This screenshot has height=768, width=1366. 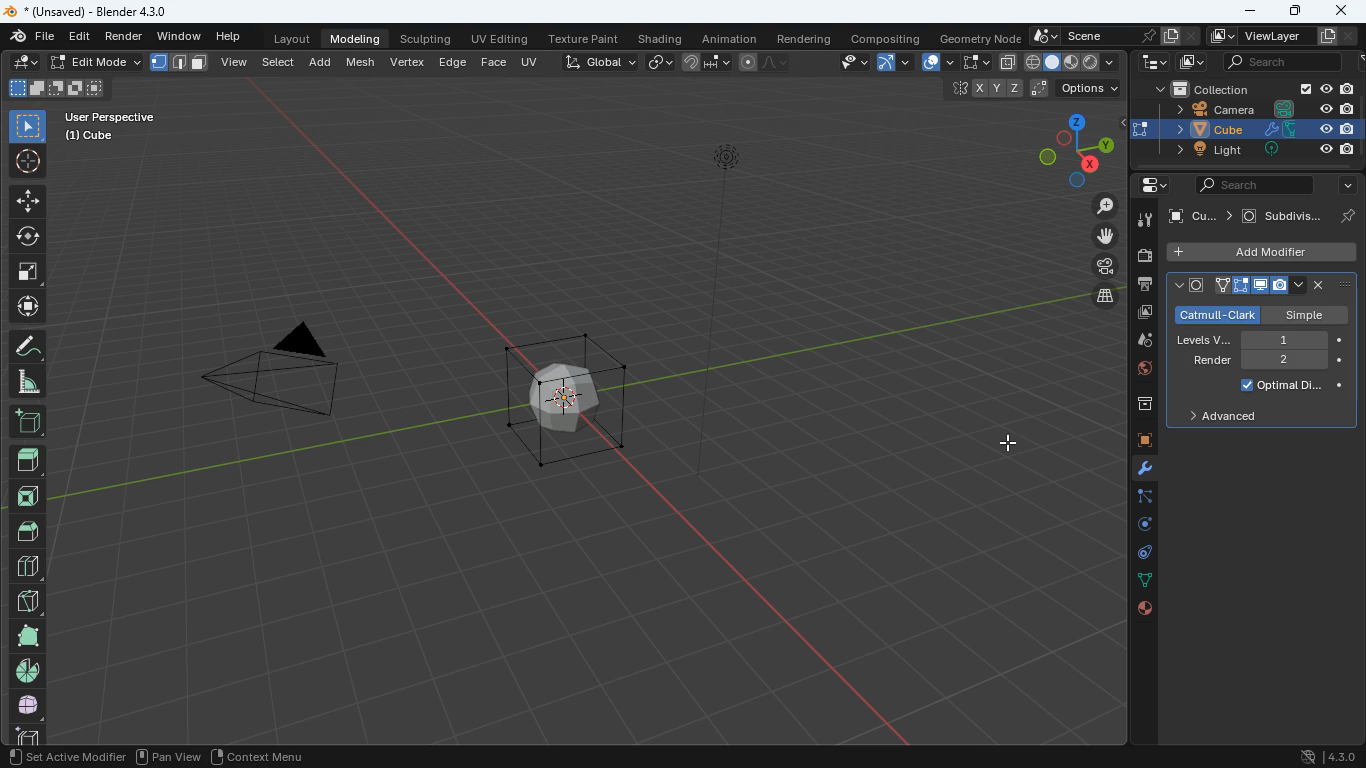 I want to click on overlap, so click(x=930, y=61).